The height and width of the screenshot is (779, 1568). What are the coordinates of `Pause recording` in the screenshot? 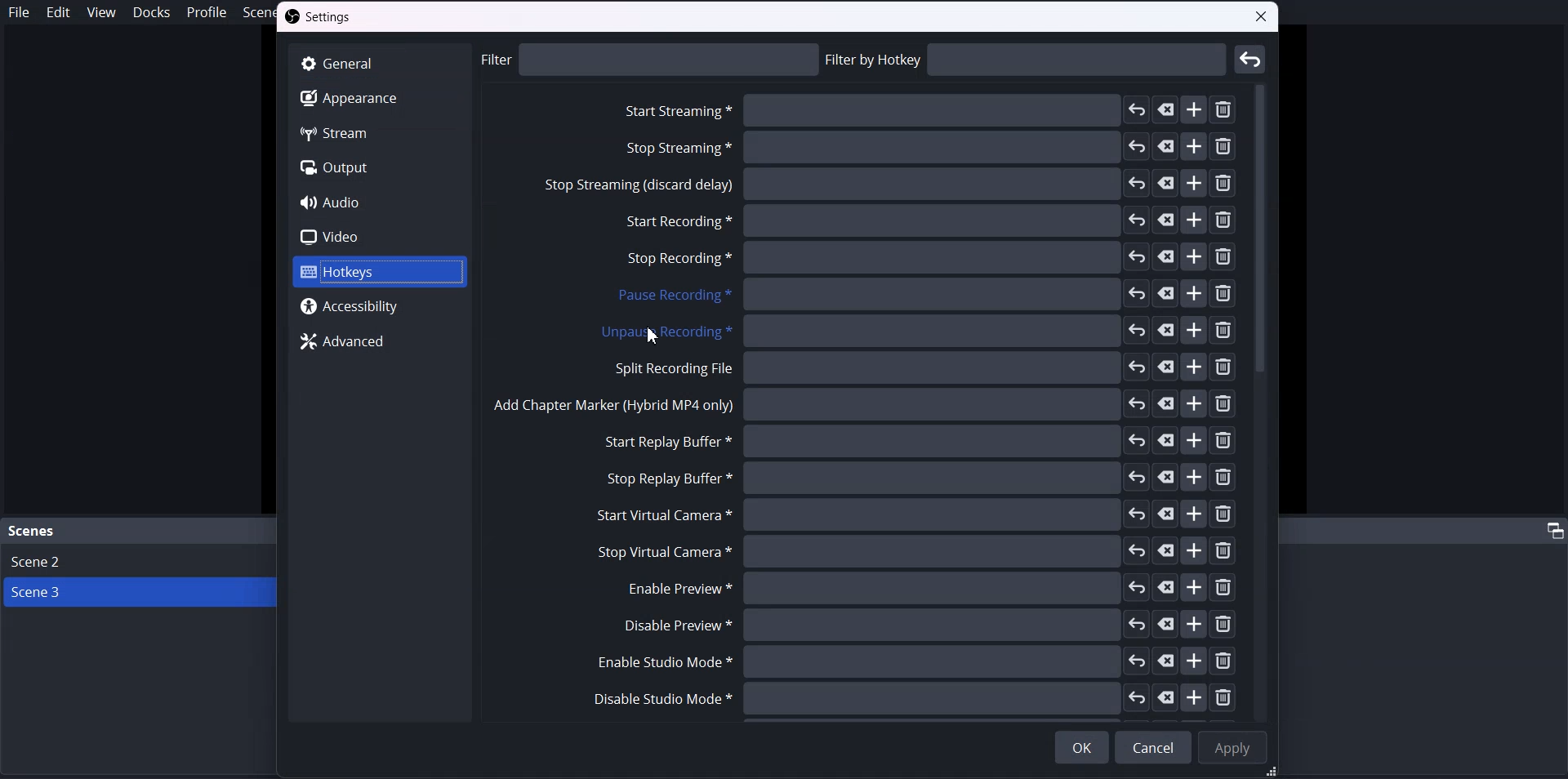 It's located at (929, 295).